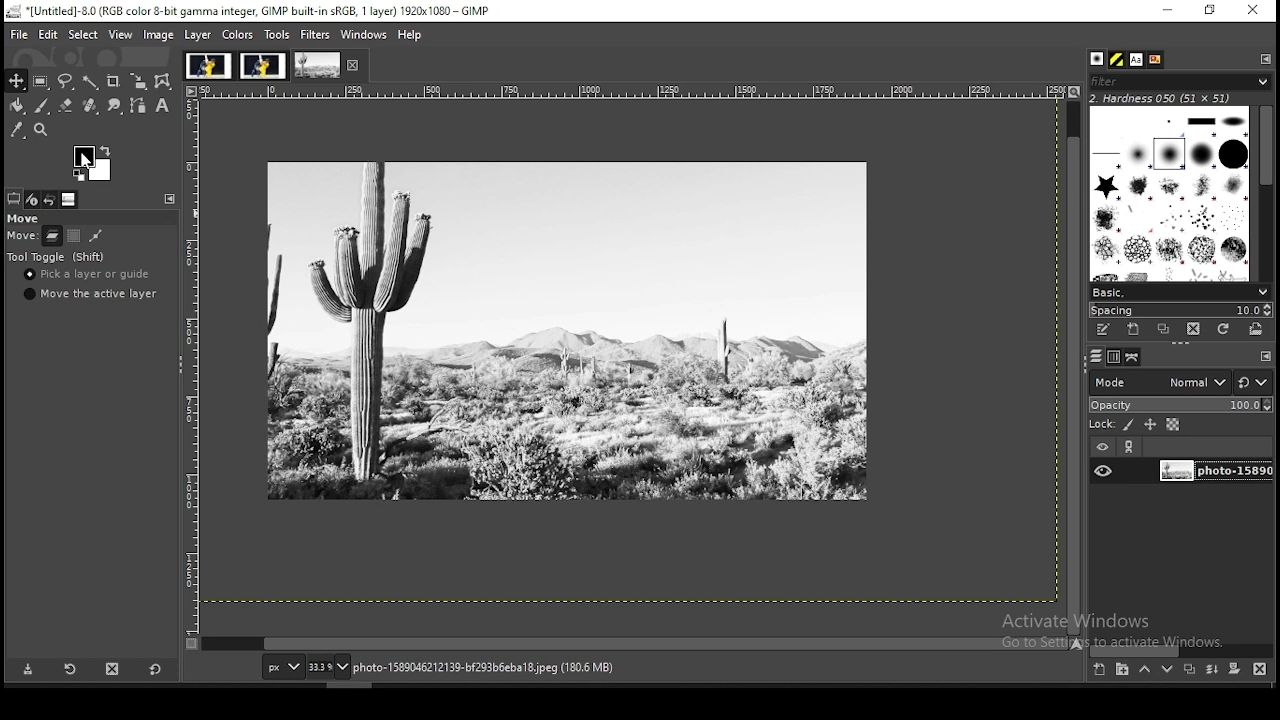 The image size is (1280, 720). What do you see at coordinates (141, 81) in the screenshot?
I see `scale tool` at bounding box center [141, 81].